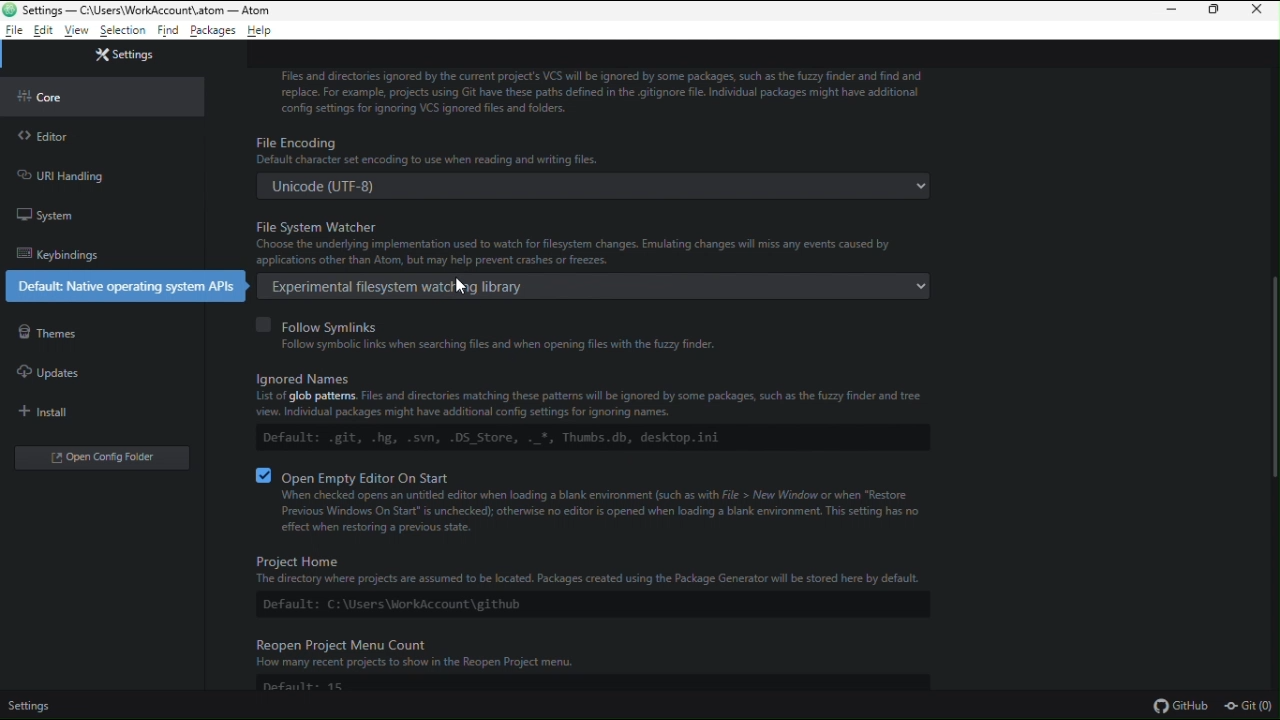 Image resolution: width=1280 pixels, height=720 pixels. I want to click on View, so click(78, 31).